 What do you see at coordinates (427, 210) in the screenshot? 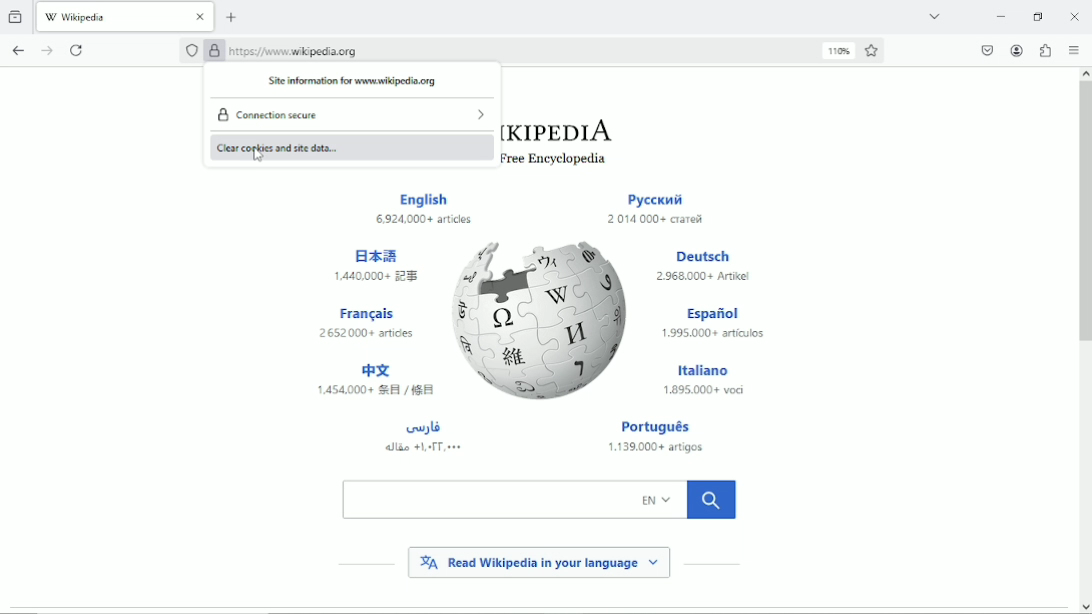
I see `English
6.924.000 articles` at bounding box center [427, 210].